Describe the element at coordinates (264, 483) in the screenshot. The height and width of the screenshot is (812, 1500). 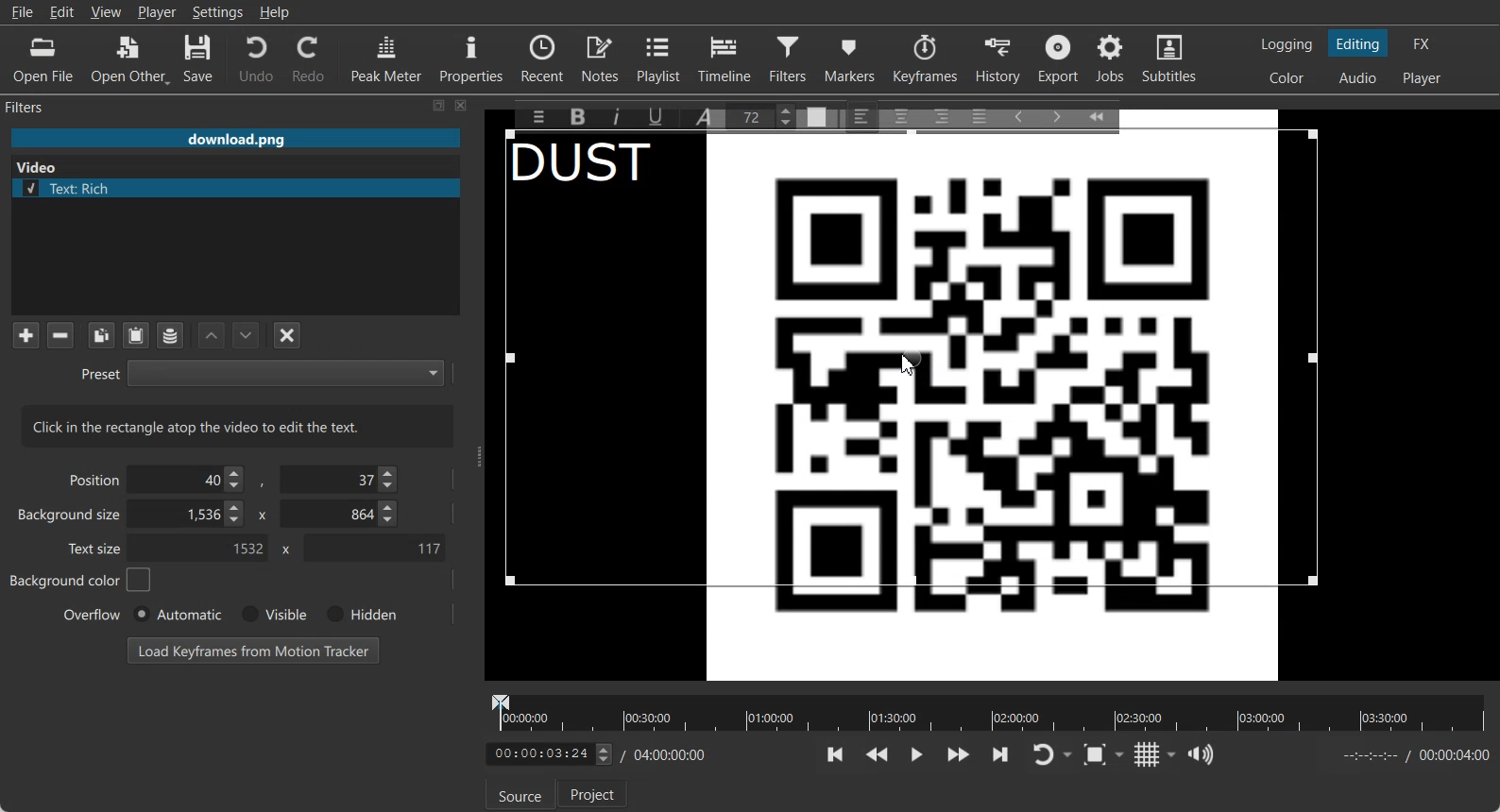
I see `,` at that location.